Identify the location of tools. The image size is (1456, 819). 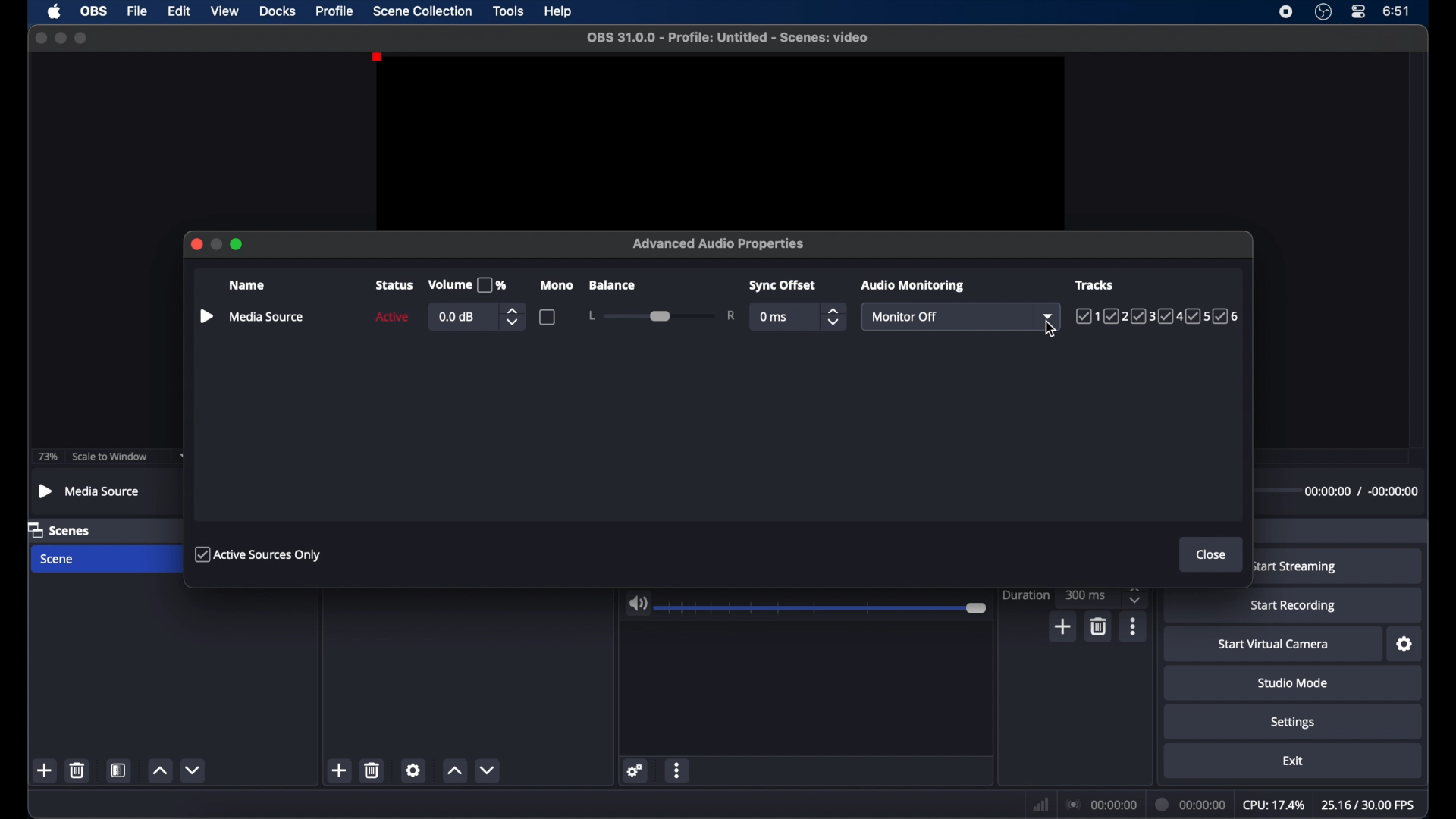
(509, 11).